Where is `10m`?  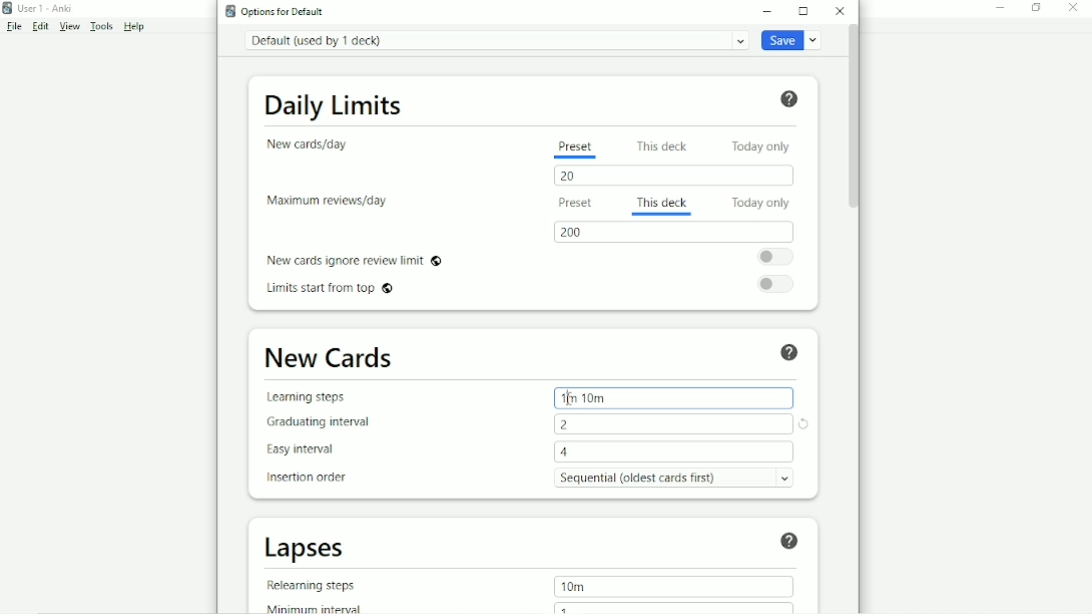
10m is located at coordinates (575, 586).